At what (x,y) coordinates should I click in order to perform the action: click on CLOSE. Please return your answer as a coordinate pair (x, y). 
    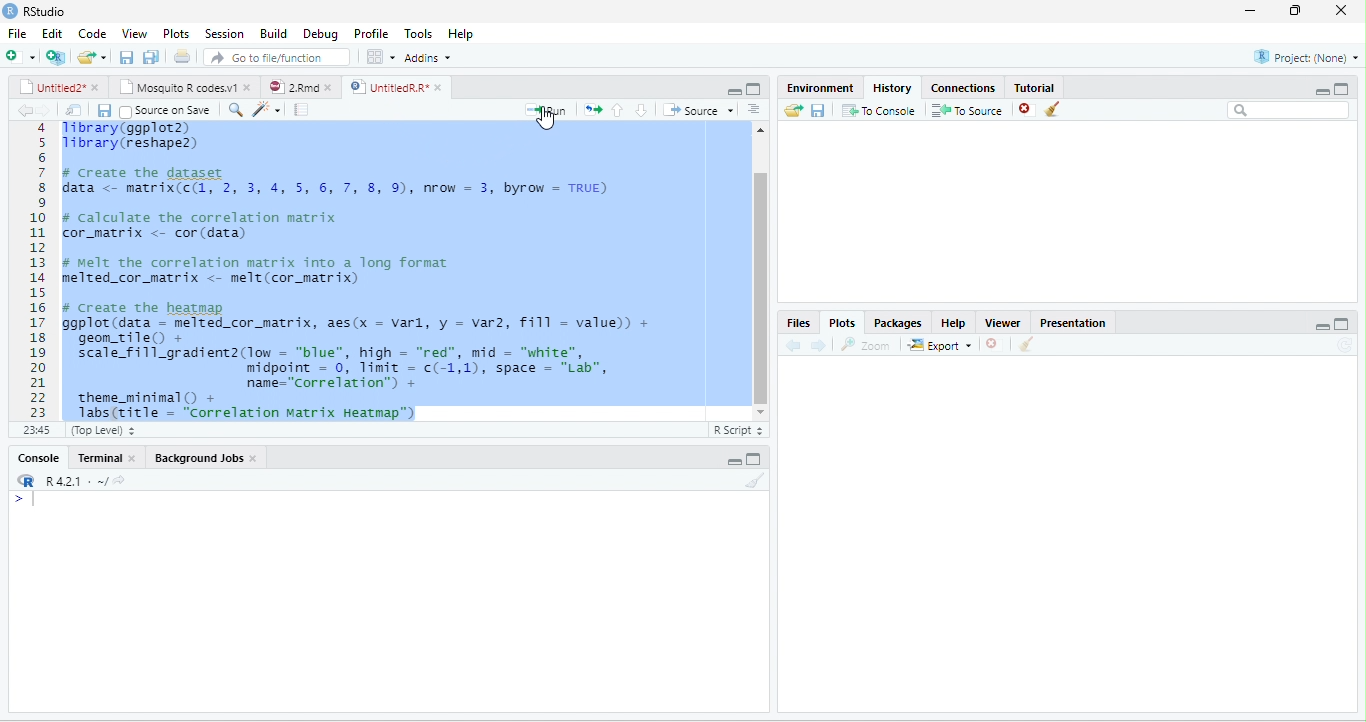
    Looking at the image, I should click on (995, 344).